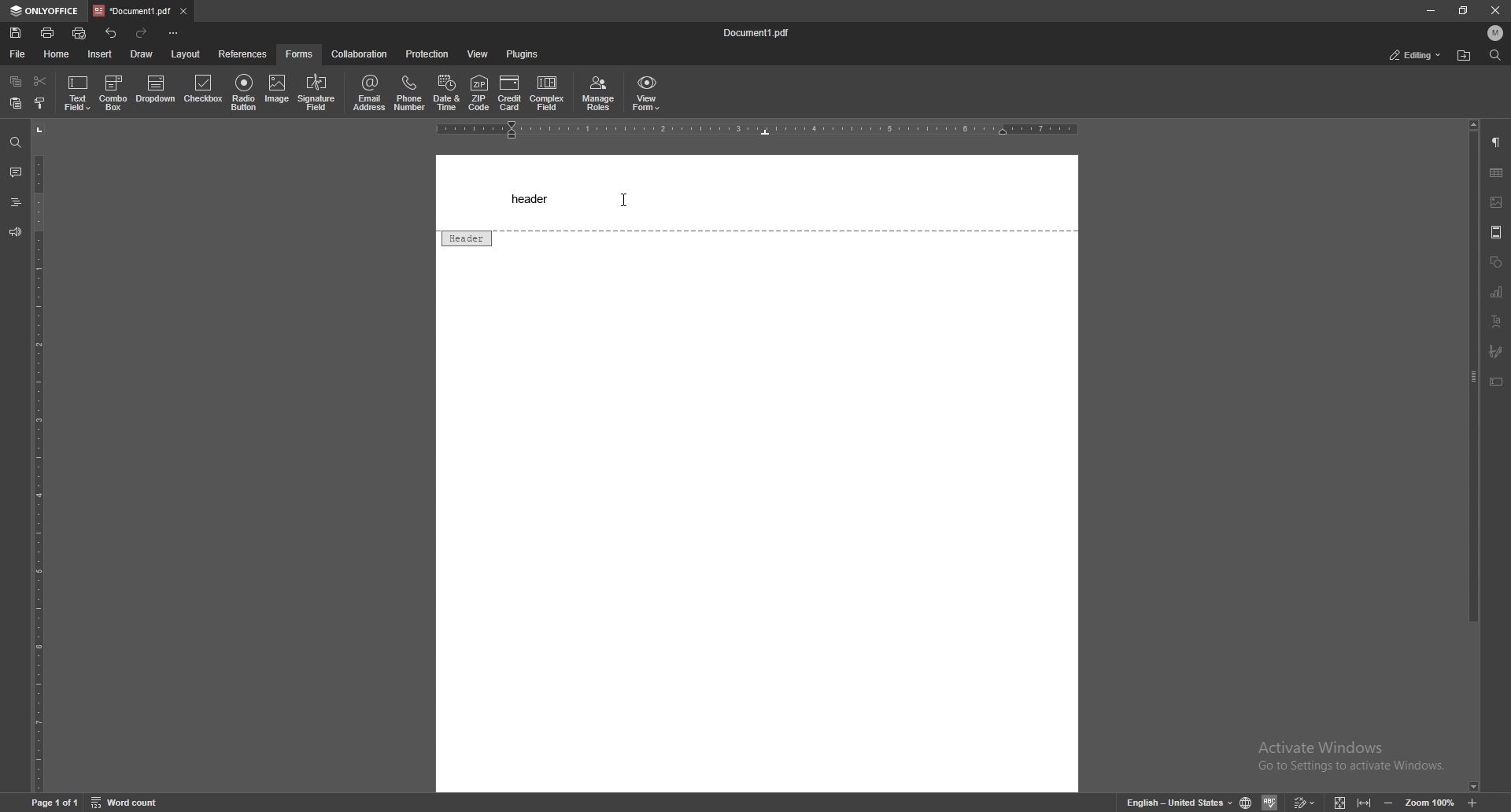 The image size is (1511, 812). What do you see at coordinates (760, 130) in the screenshot?
I see `horiztontal scale` at bounding box center [760, 130].